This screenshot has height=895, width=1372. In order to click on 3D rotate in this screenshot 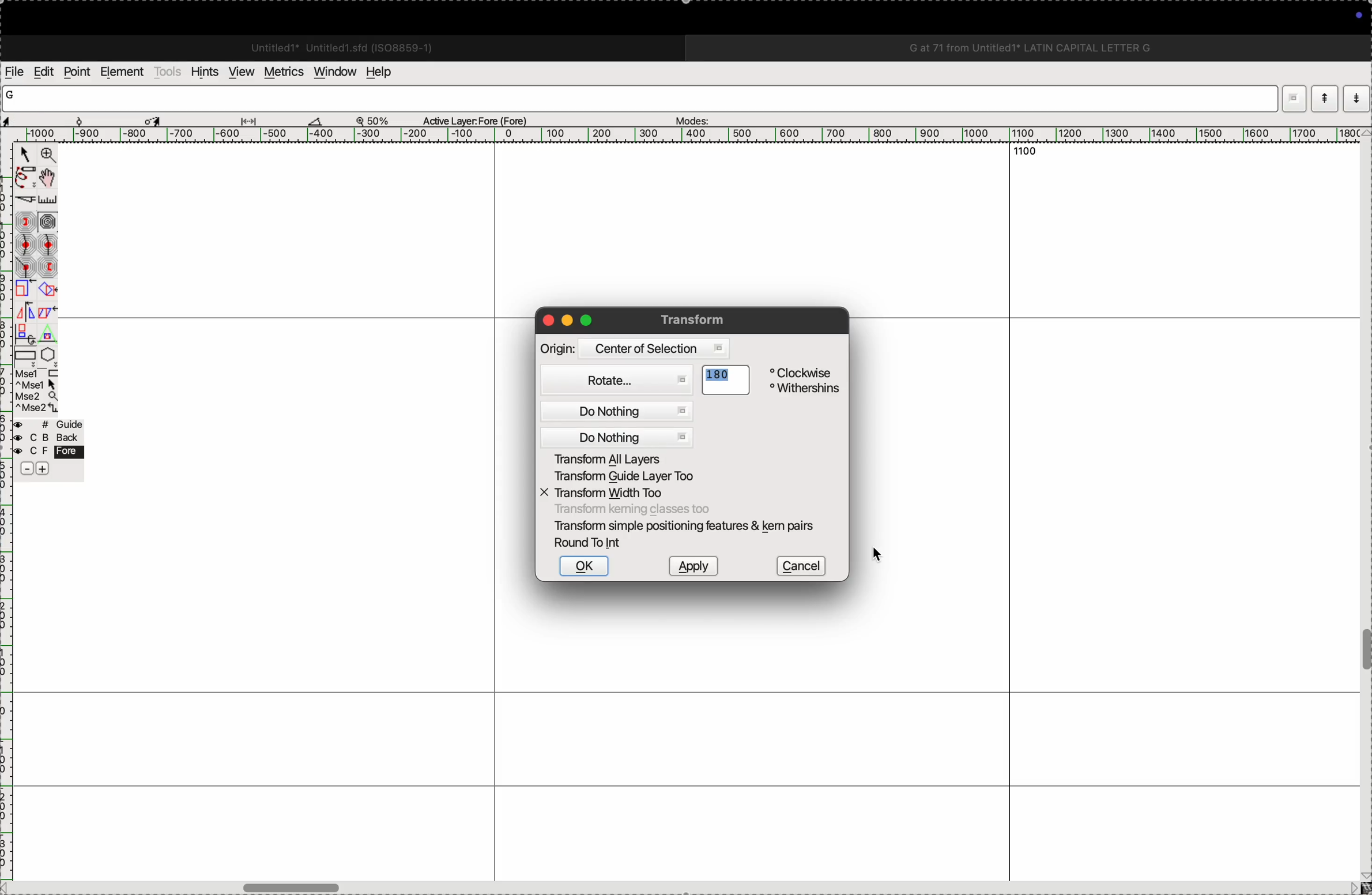, I will do `click(25, 334)`.